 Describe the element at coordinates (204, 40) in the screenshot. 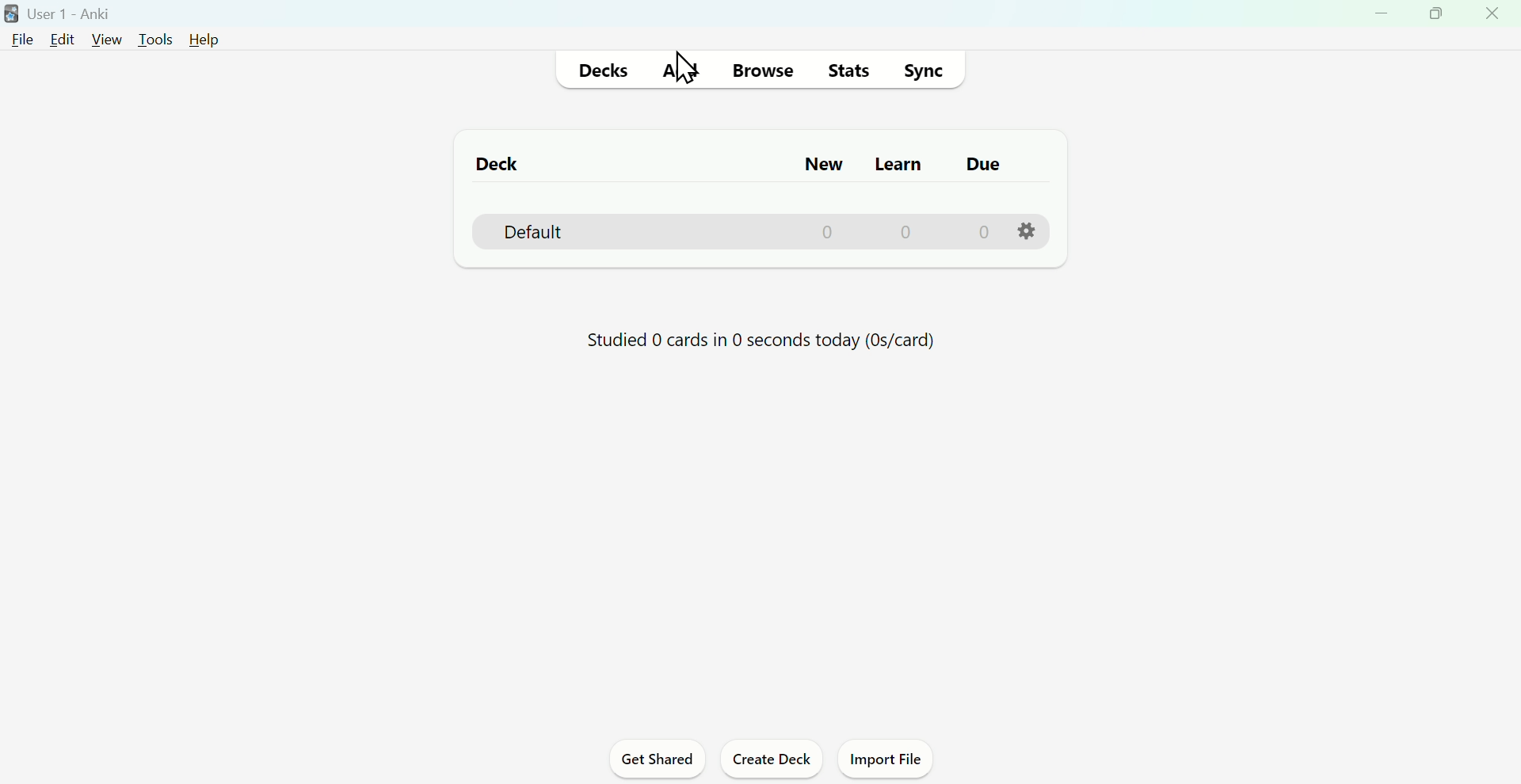

I see `Help` at that location.